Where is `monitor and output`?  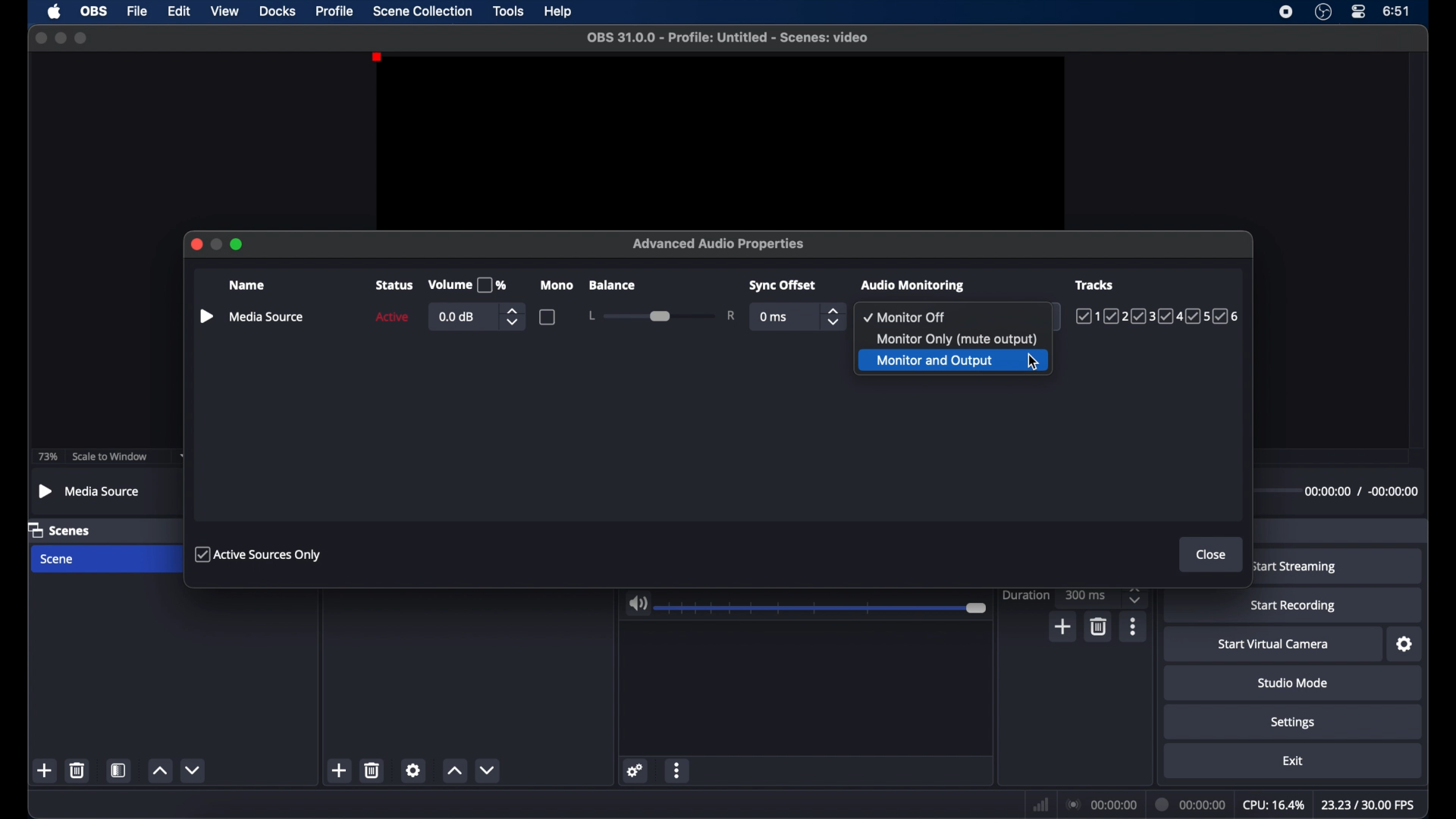 monitor and output is located at coordinates (934, 360).